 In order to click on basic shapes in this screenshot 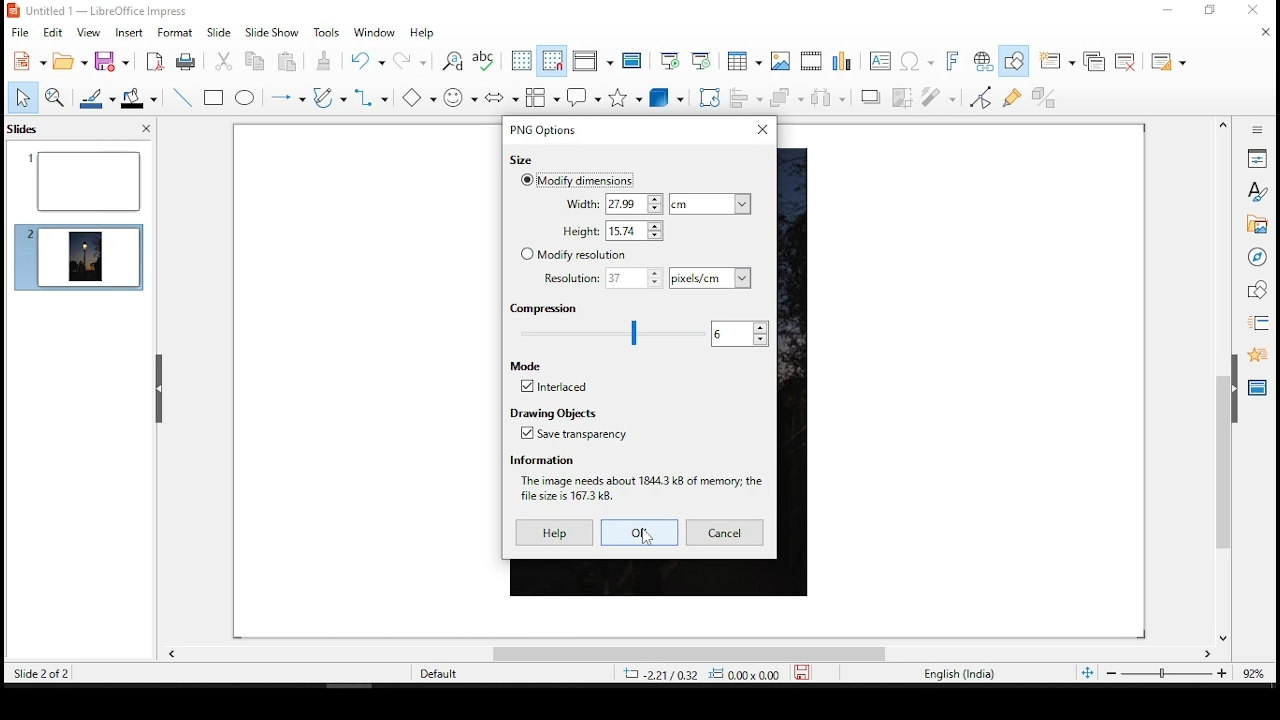, I will do `click(417, 97)`.